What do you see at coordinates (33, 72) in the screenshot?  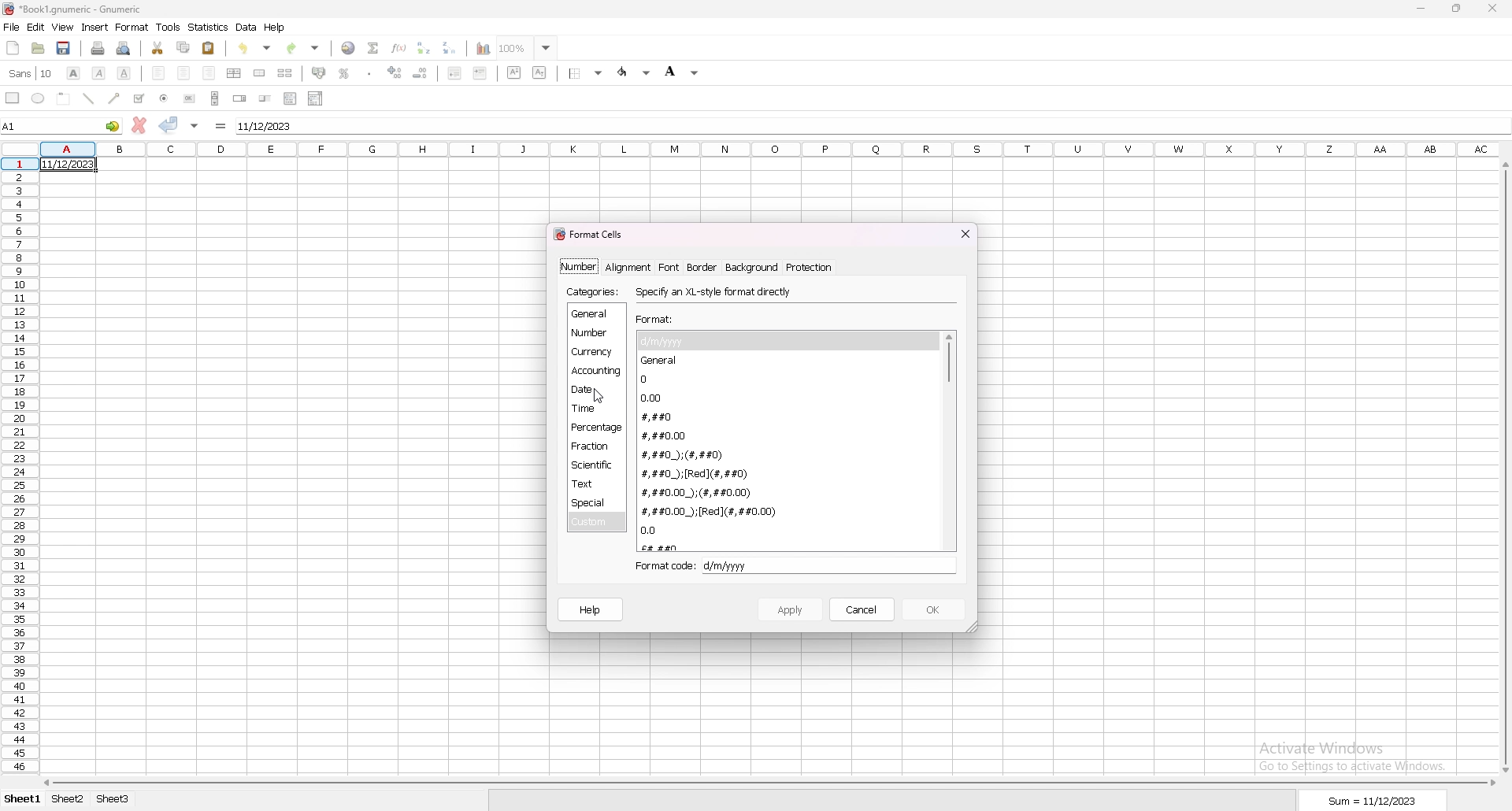 I see `font` at bounding box center [33, 72].